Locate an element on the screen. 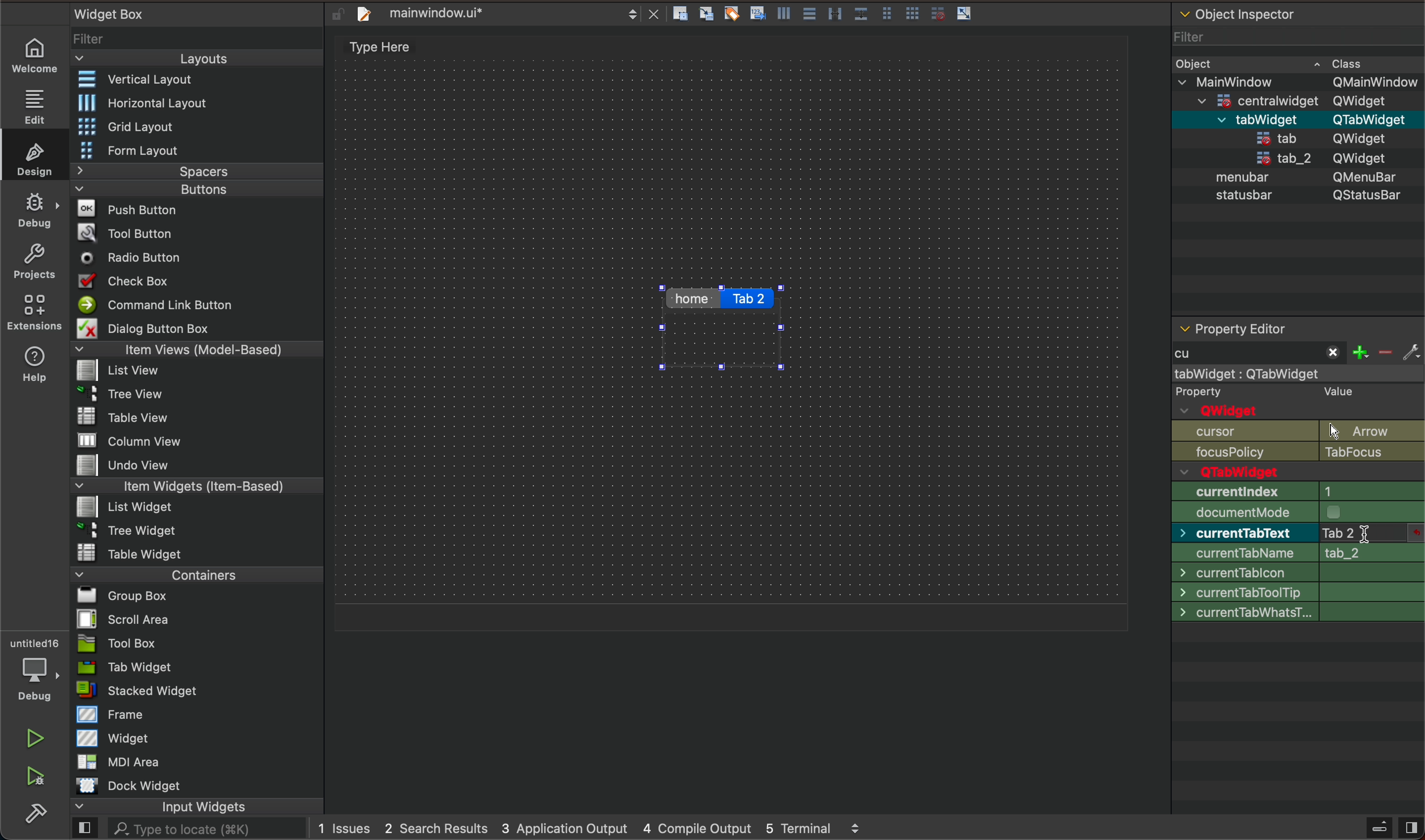 Image resolution: width=1425 pixels, height=840 pixels. Tool Button is located at coordinates (125, 235).